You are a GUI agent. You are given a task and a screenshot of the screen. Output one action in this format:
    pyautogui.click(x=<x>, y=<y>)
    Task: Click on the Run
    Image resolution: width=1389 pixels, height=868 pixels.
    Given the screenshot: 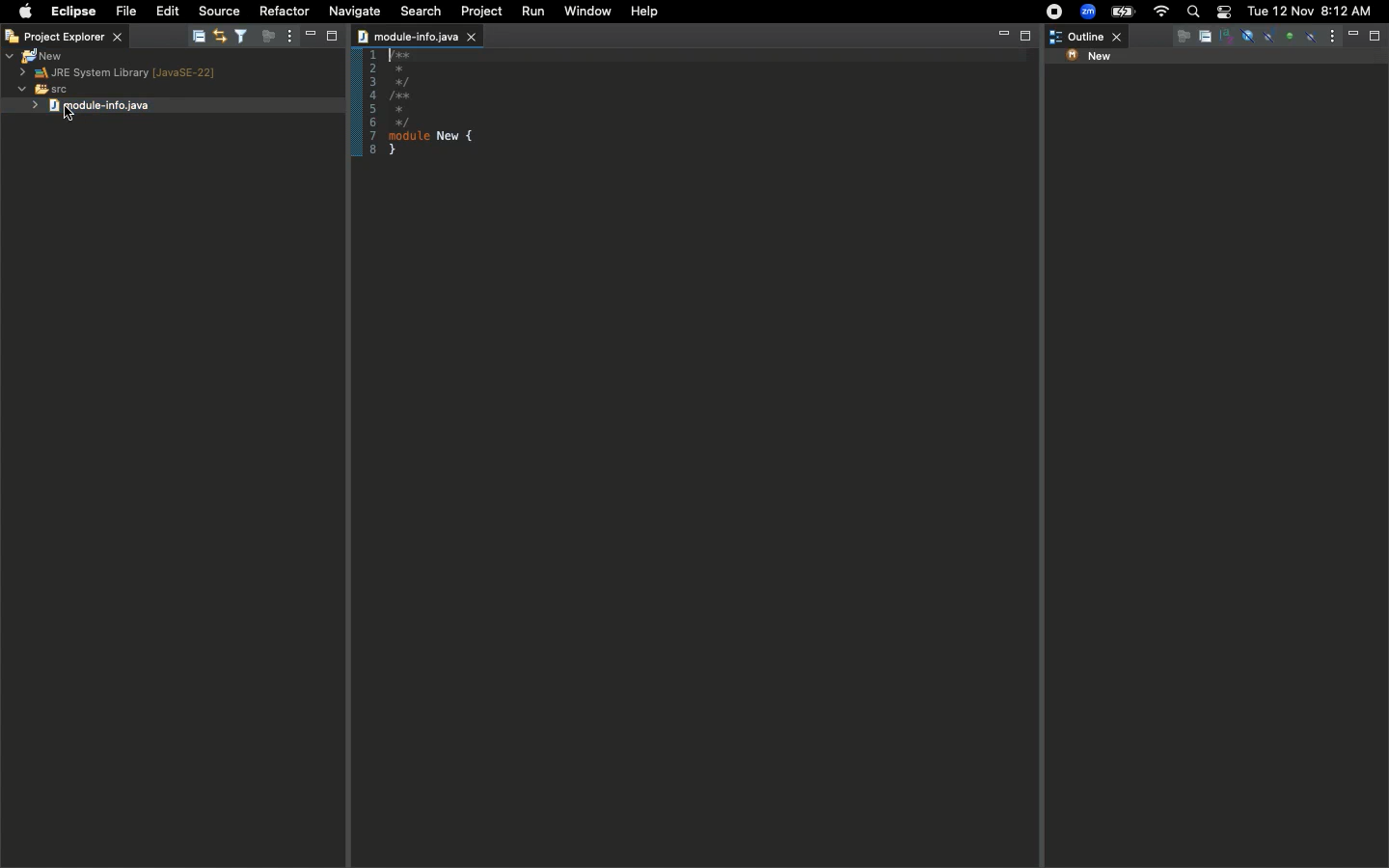 What is the action you would take?
    pyautogui.click(x=532, y=12)
    